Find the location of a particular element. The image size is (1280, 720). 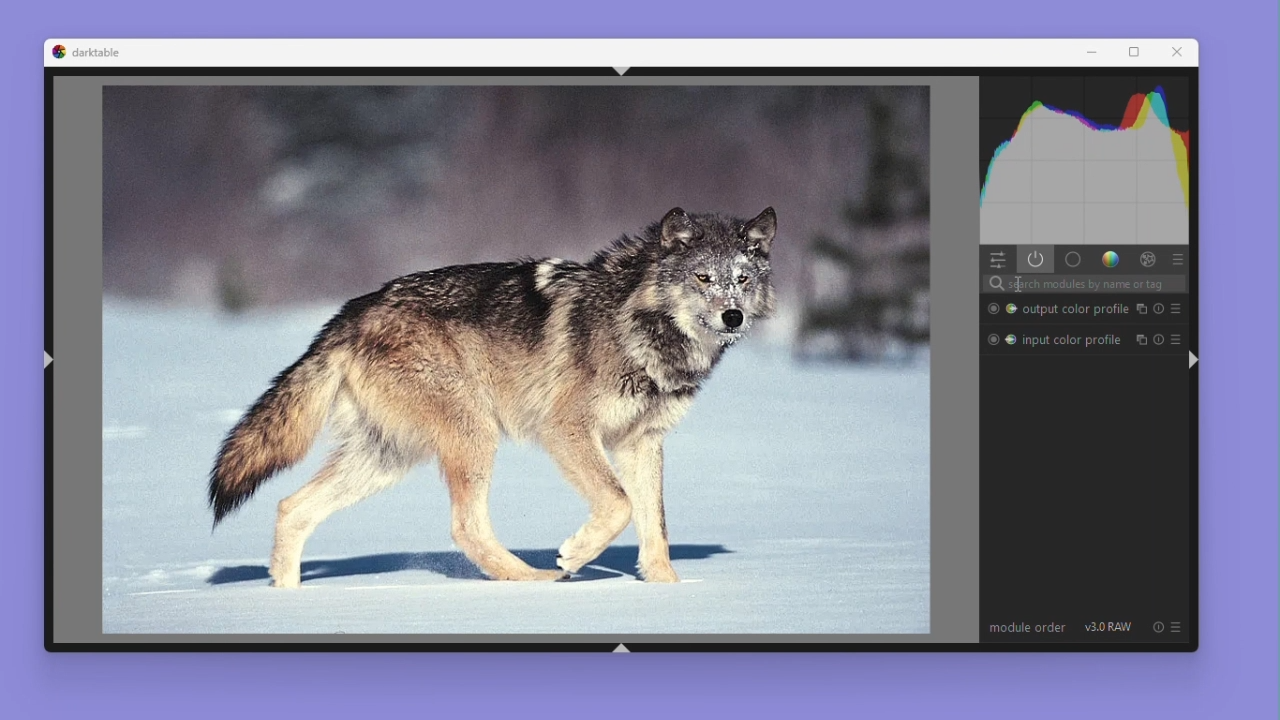

shift+ctrl+b is located at coordinates (619, 646).